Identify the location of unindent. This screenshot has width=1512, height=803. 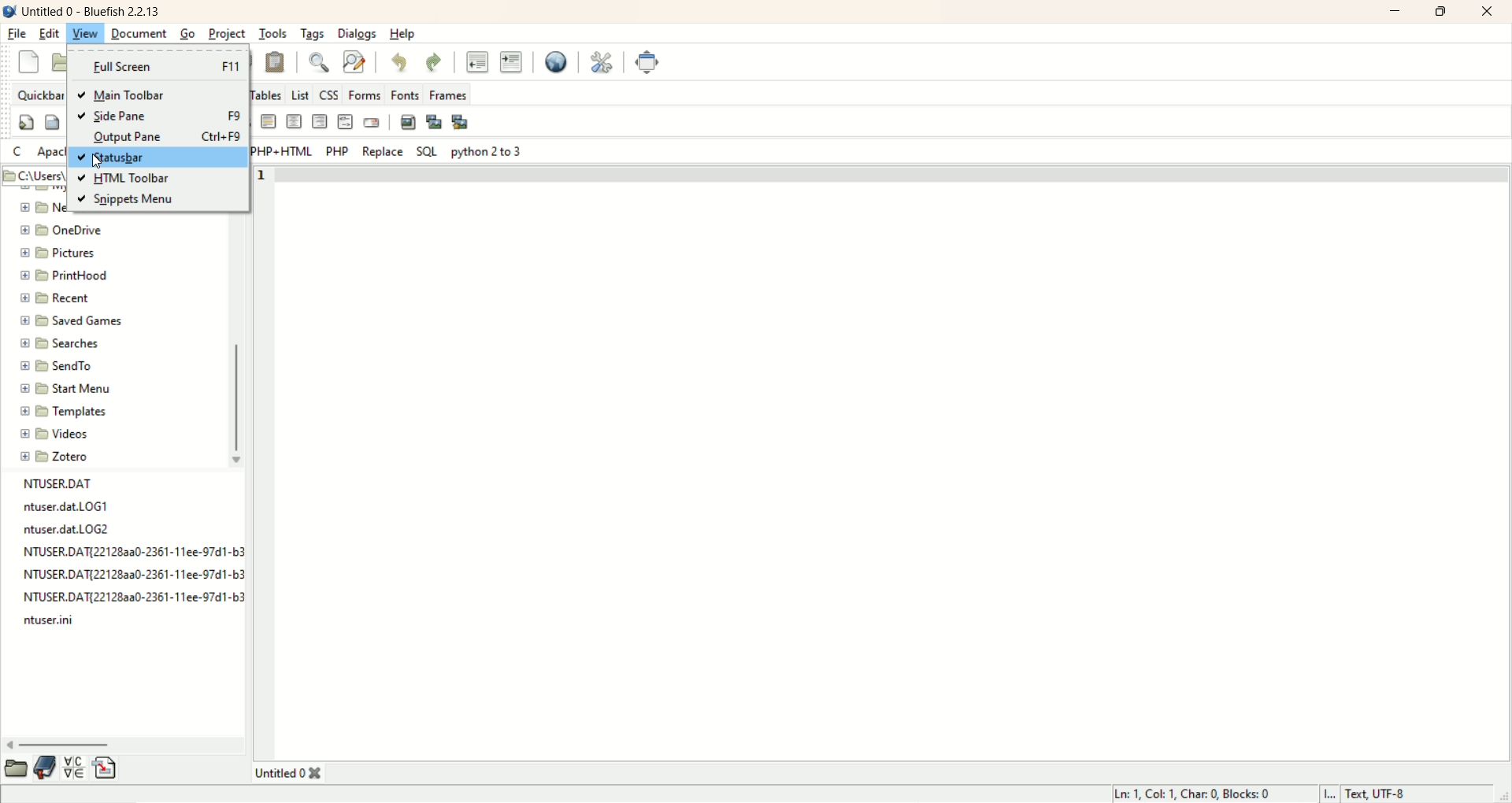
(477, 61).